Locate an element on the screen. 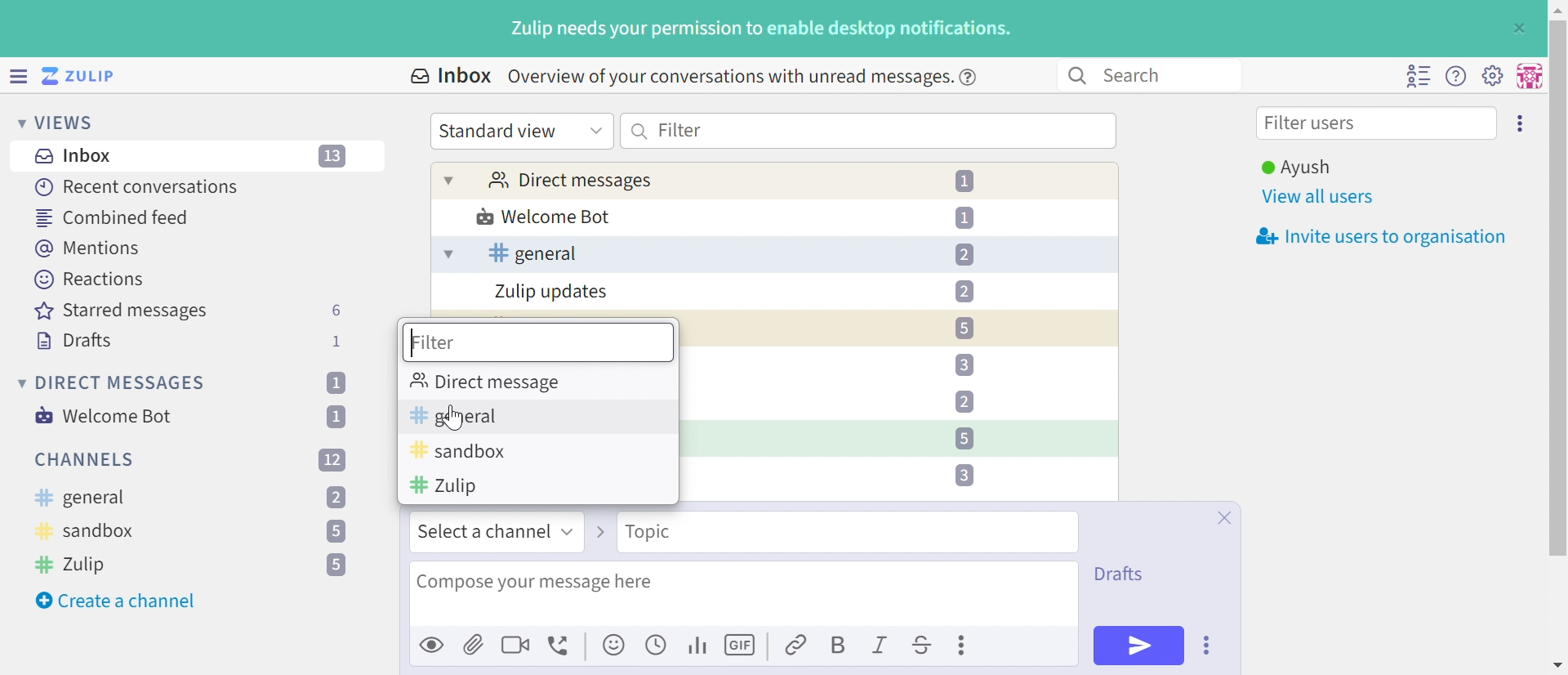  zulip is located at coordinates (444, 486).